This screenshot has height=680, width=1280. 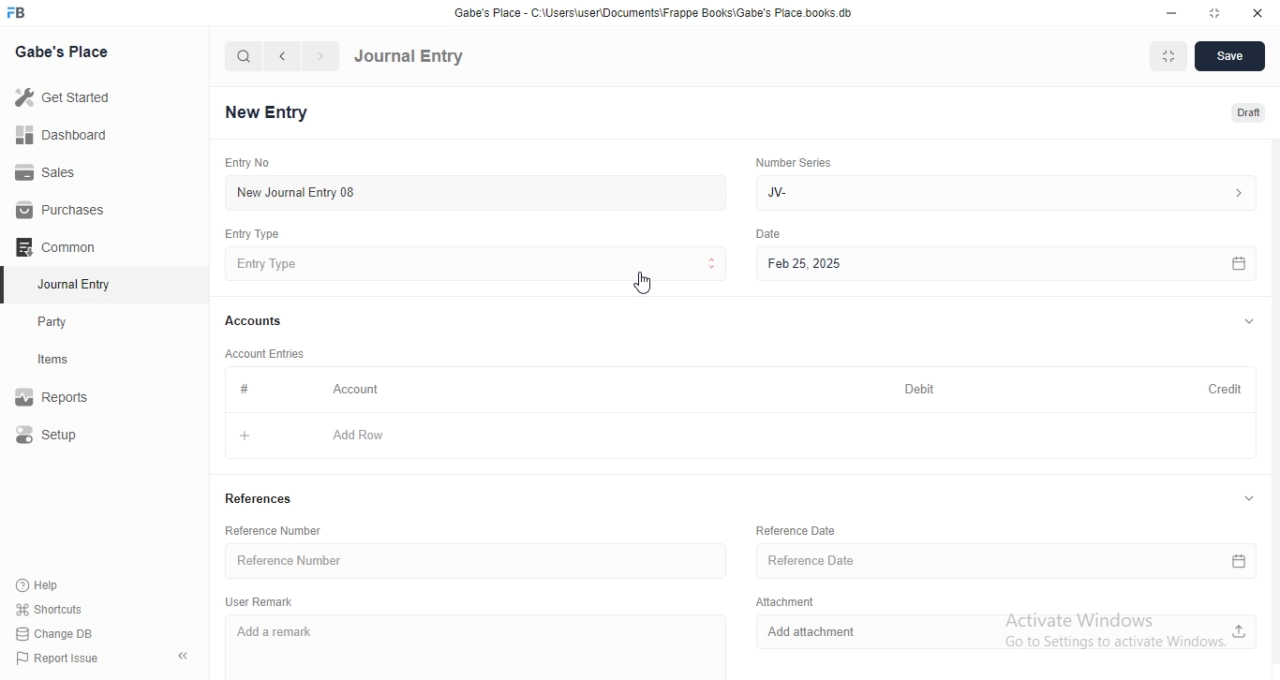 What do you see at coordinates (243, 390) in the screenshot?
I see `#` at bounding box center [243, 390].